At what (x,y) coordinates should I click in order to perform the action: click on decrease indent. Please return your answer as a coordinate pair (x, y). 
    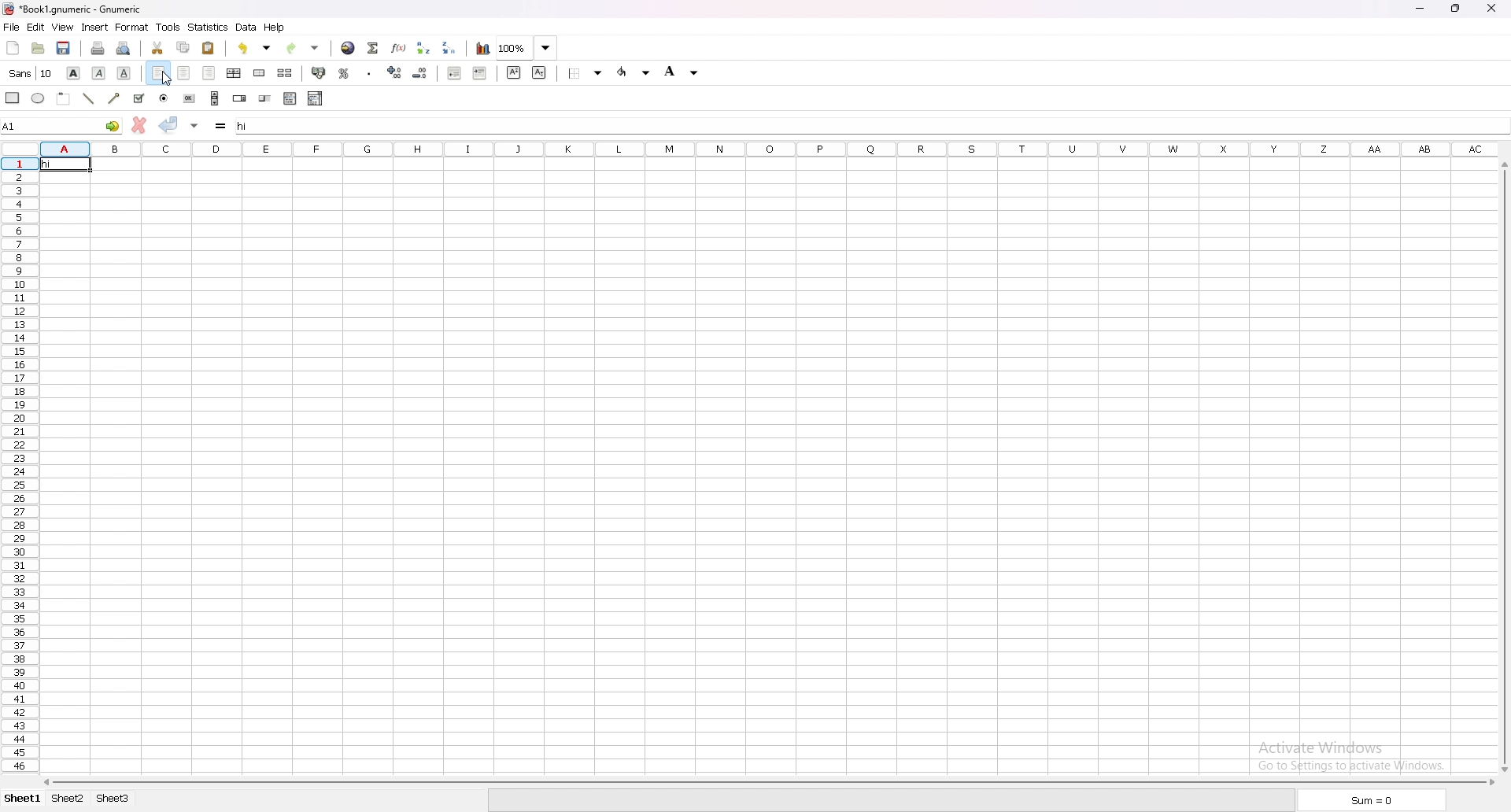
    Looking at the image, I should click on (456, 72).